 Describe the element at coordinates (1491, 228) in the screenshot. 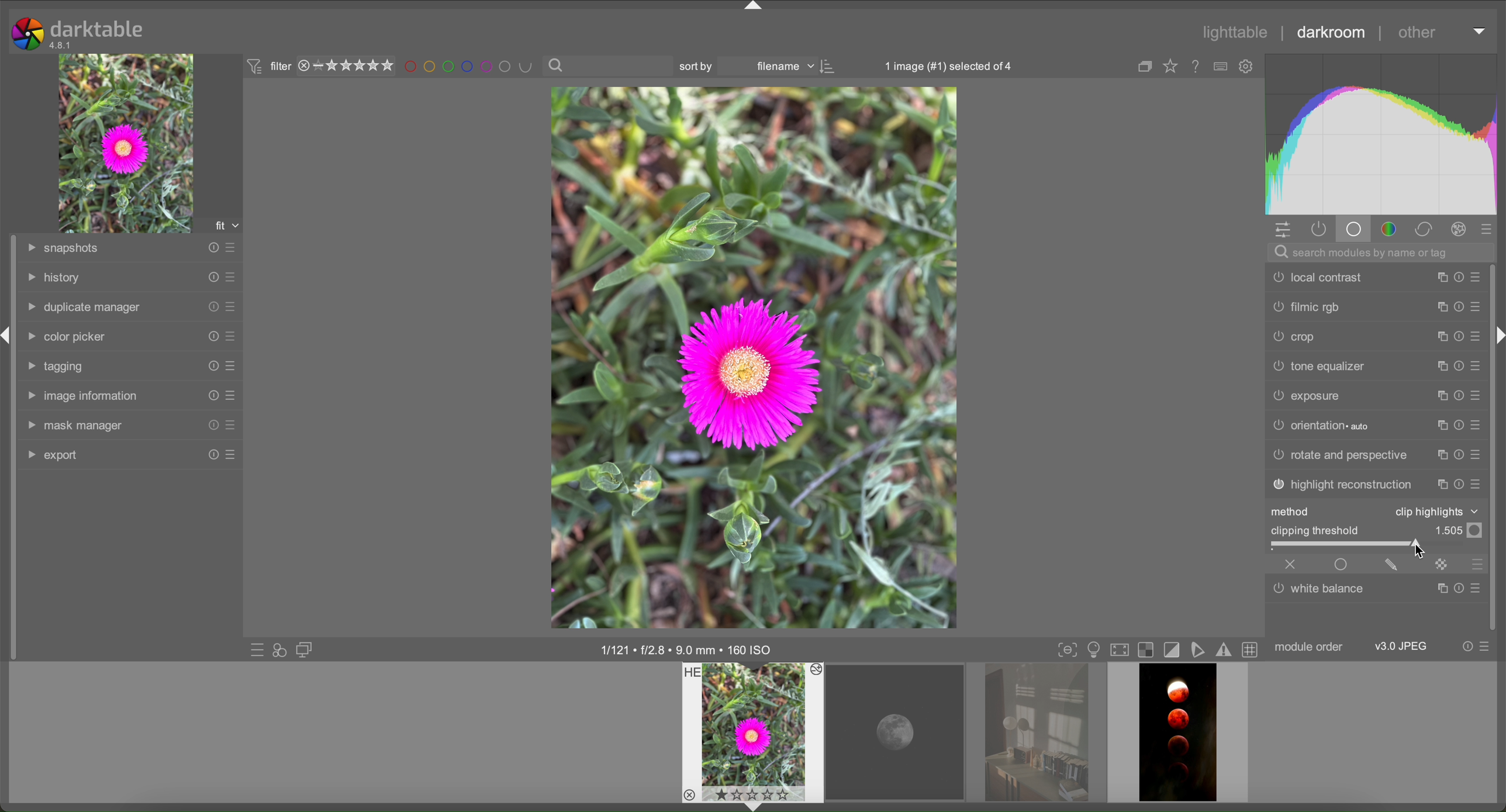

I see `presets` at that location.